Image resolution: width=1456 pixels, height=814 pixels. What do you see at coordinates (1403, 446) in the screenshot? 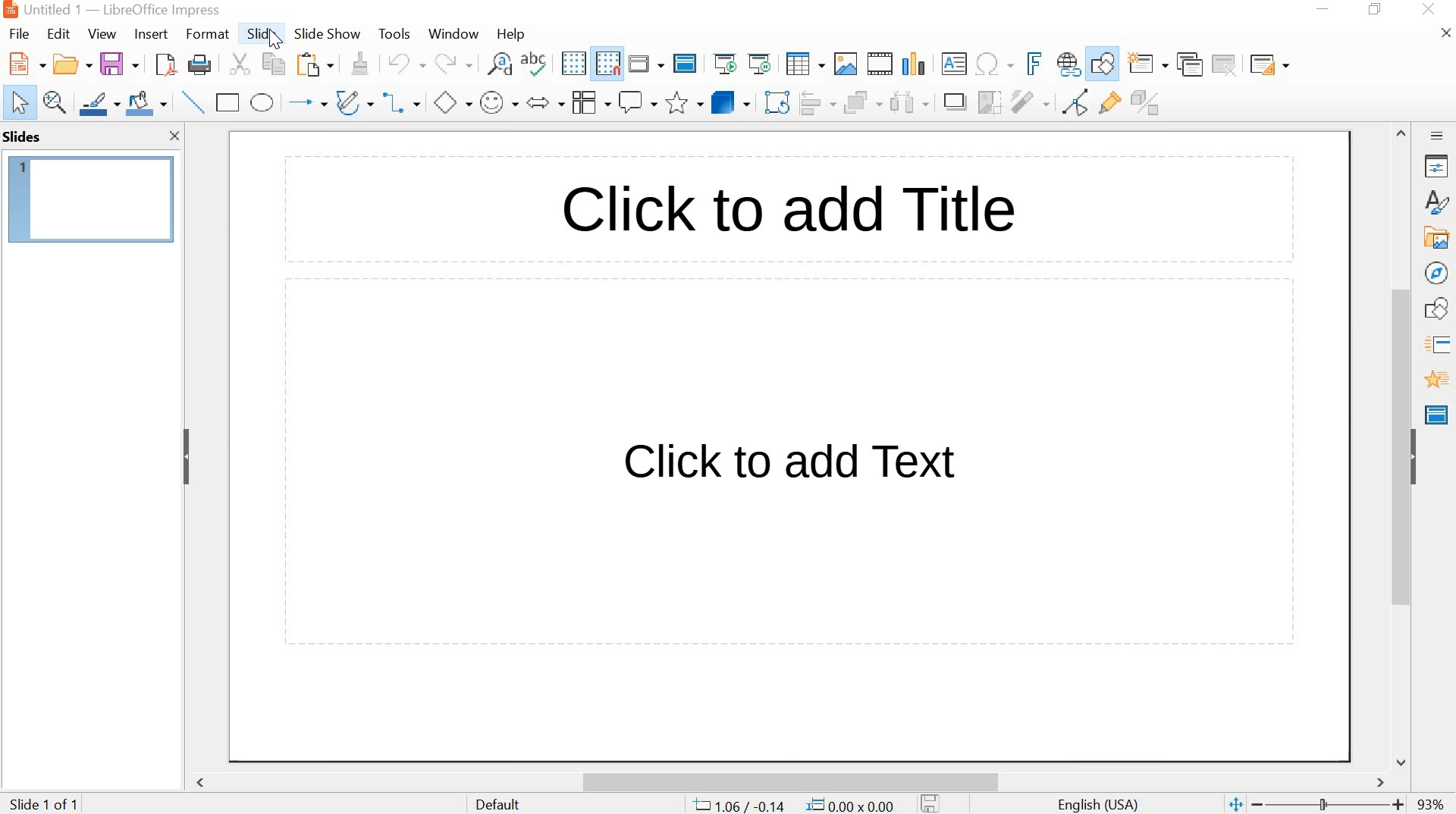
I see `SCROLLBAR` at bounding box center [1403, 446].